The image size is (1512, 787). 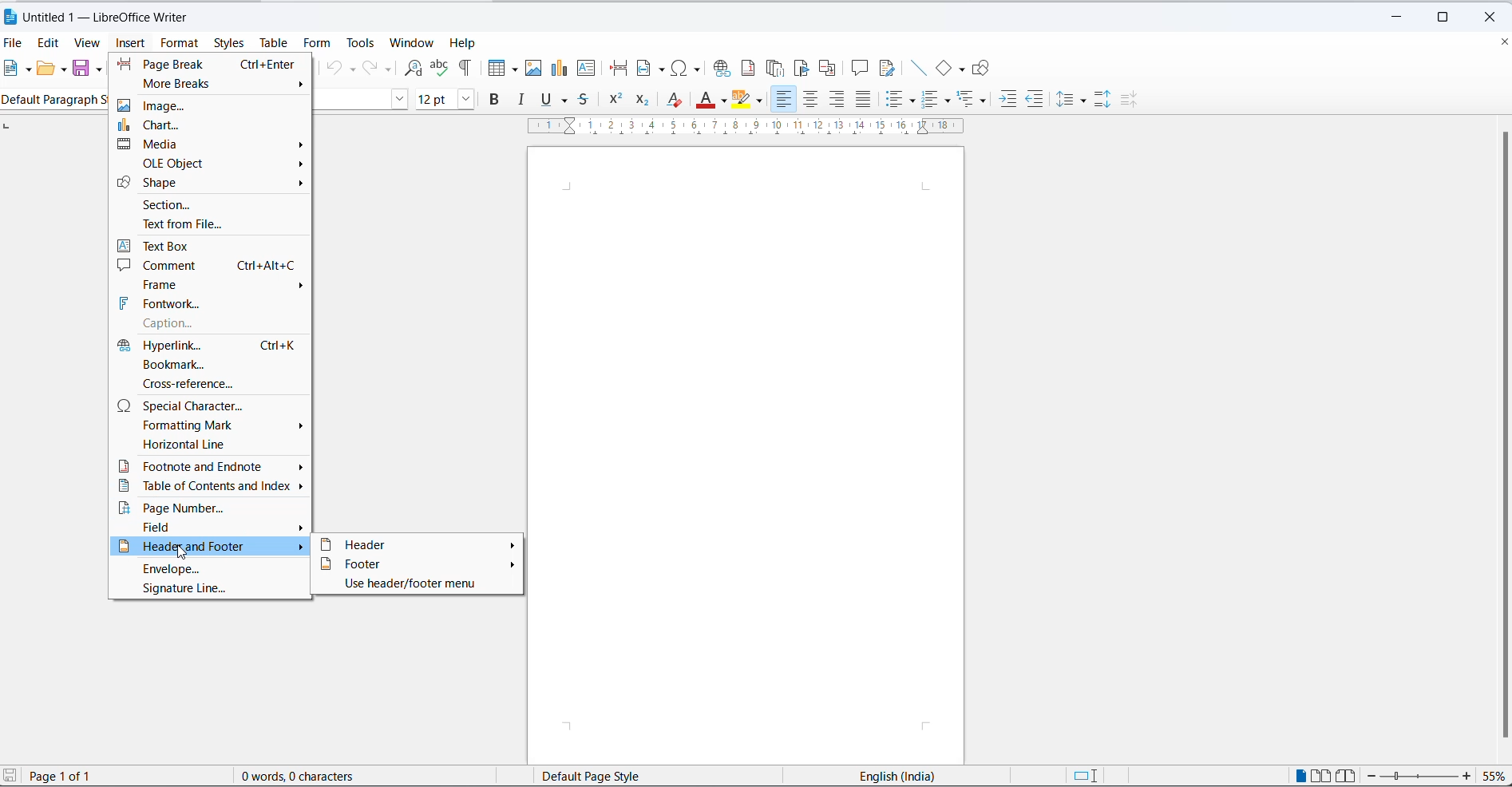 I want to click on header and footer, so click(x=208, y=547).